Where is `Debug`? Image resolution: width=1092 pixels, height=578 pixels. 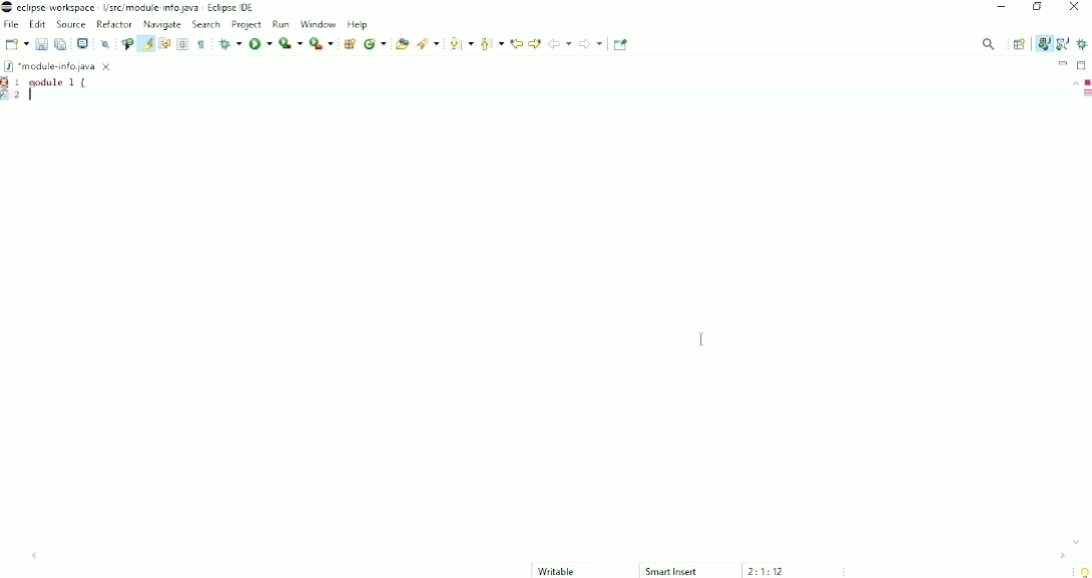
Debug is located at coordinates (230, 44).